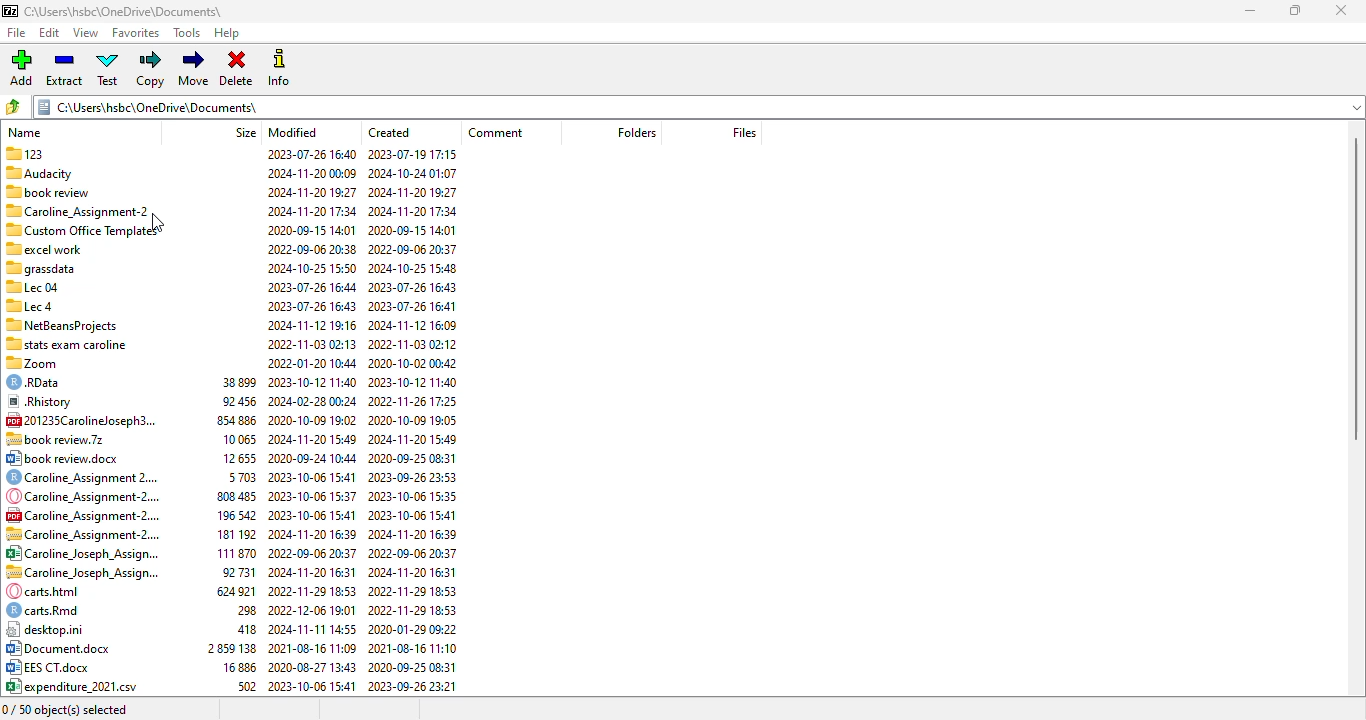  I want to click on “llecd, so click(33, 308).